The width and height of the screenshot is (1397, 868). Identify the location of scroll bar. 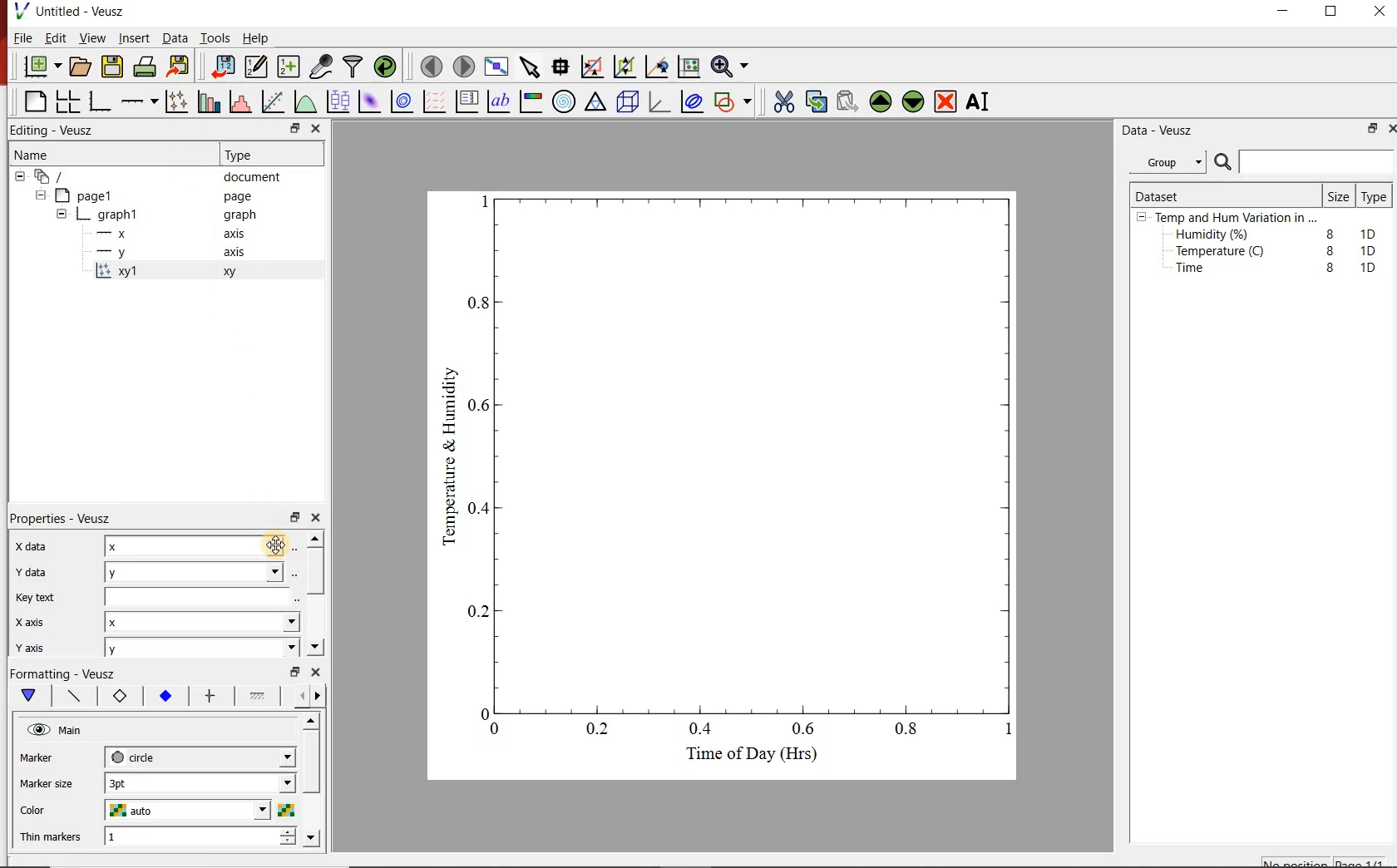
(318, 591).